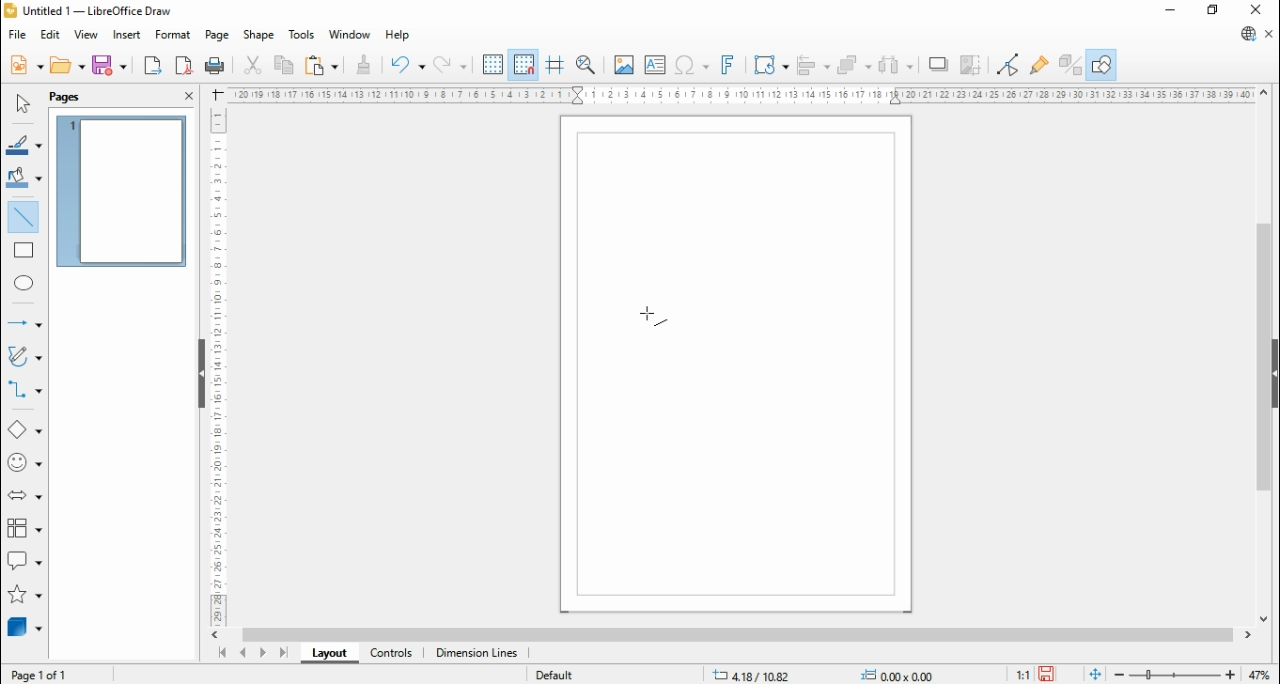  Describe the element at coordinates (322, 64) in the screenshot. I see `paste` at that location.